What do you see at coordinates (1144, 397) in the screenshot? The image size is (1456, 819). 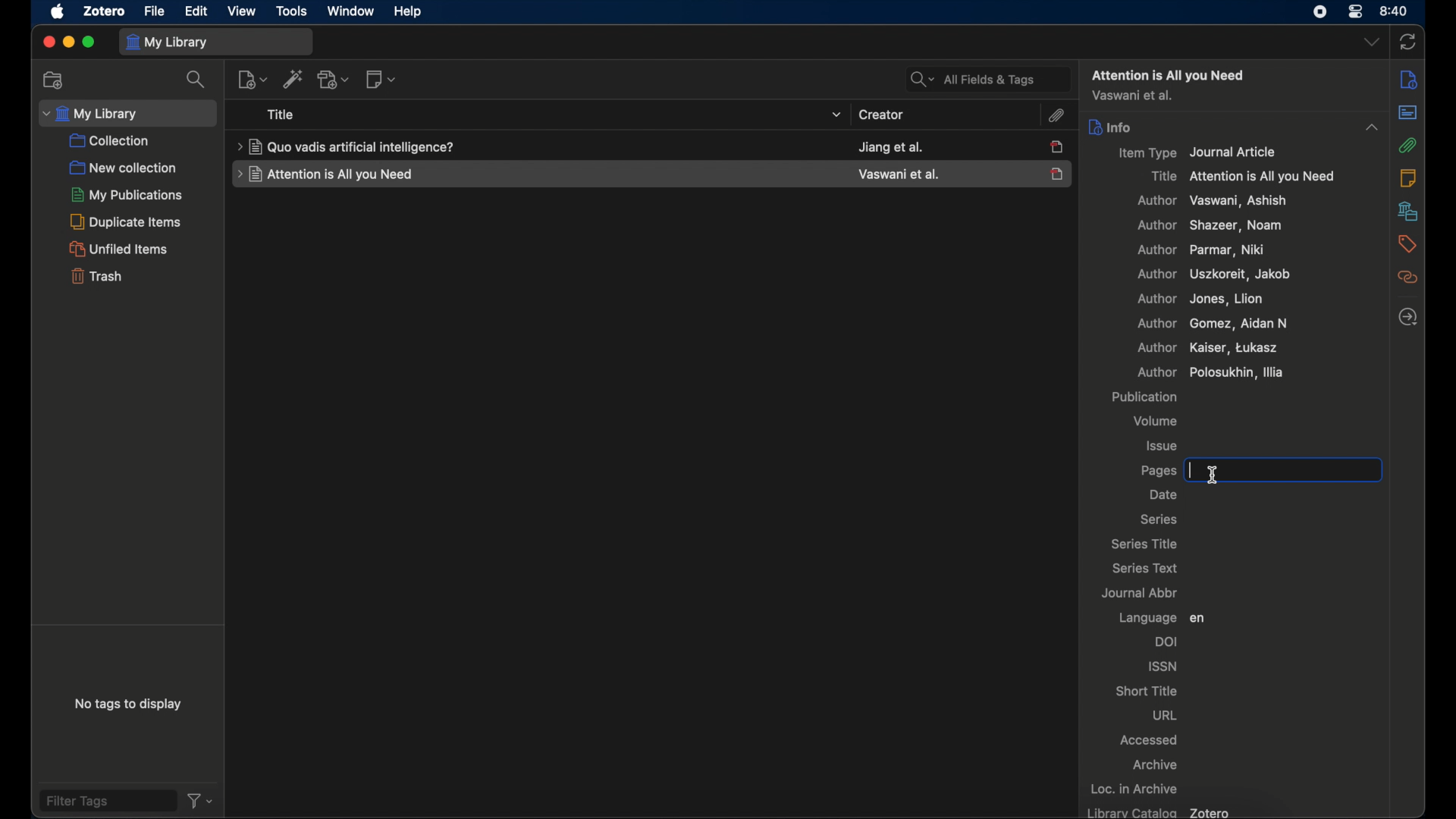 I see `publication` at bounding box center [1144, 397].